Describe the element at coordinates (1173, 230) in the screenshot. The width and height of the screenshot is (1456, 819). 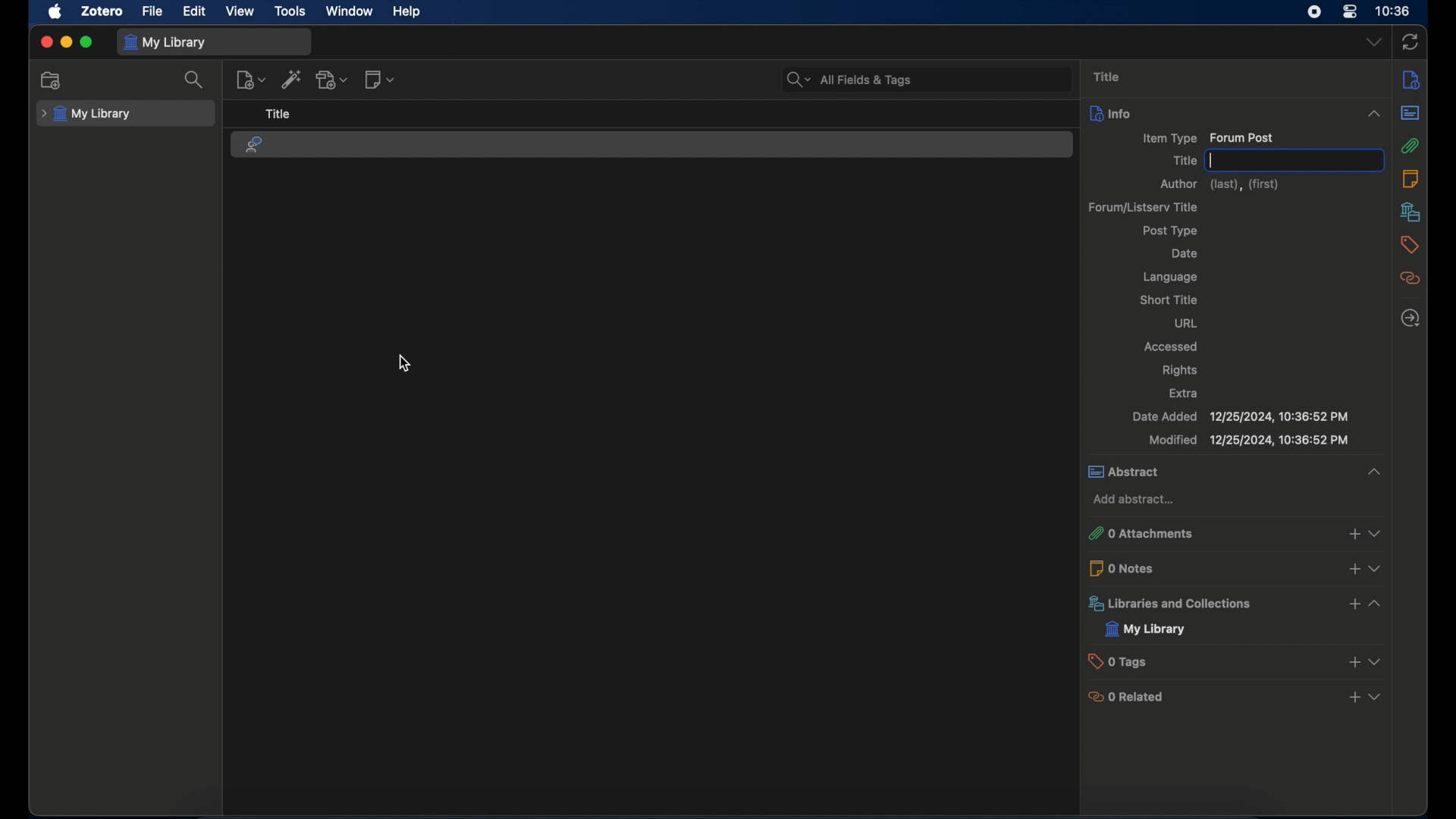
I see `ost type` at that location.